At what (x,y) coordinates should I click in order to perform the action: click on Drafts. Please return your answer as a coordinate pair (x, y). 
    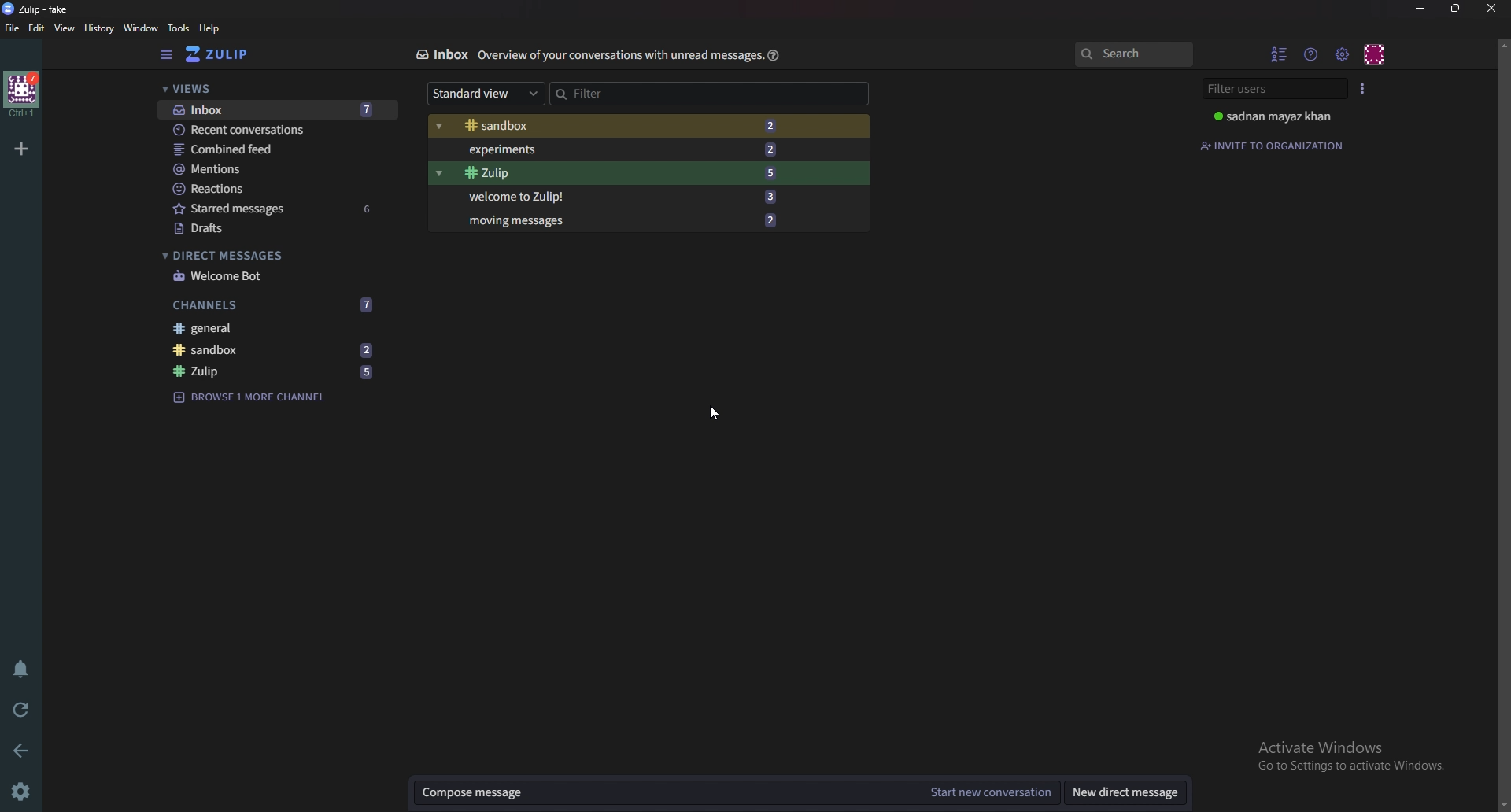
    Looking at the image, I should click on (272, 228).